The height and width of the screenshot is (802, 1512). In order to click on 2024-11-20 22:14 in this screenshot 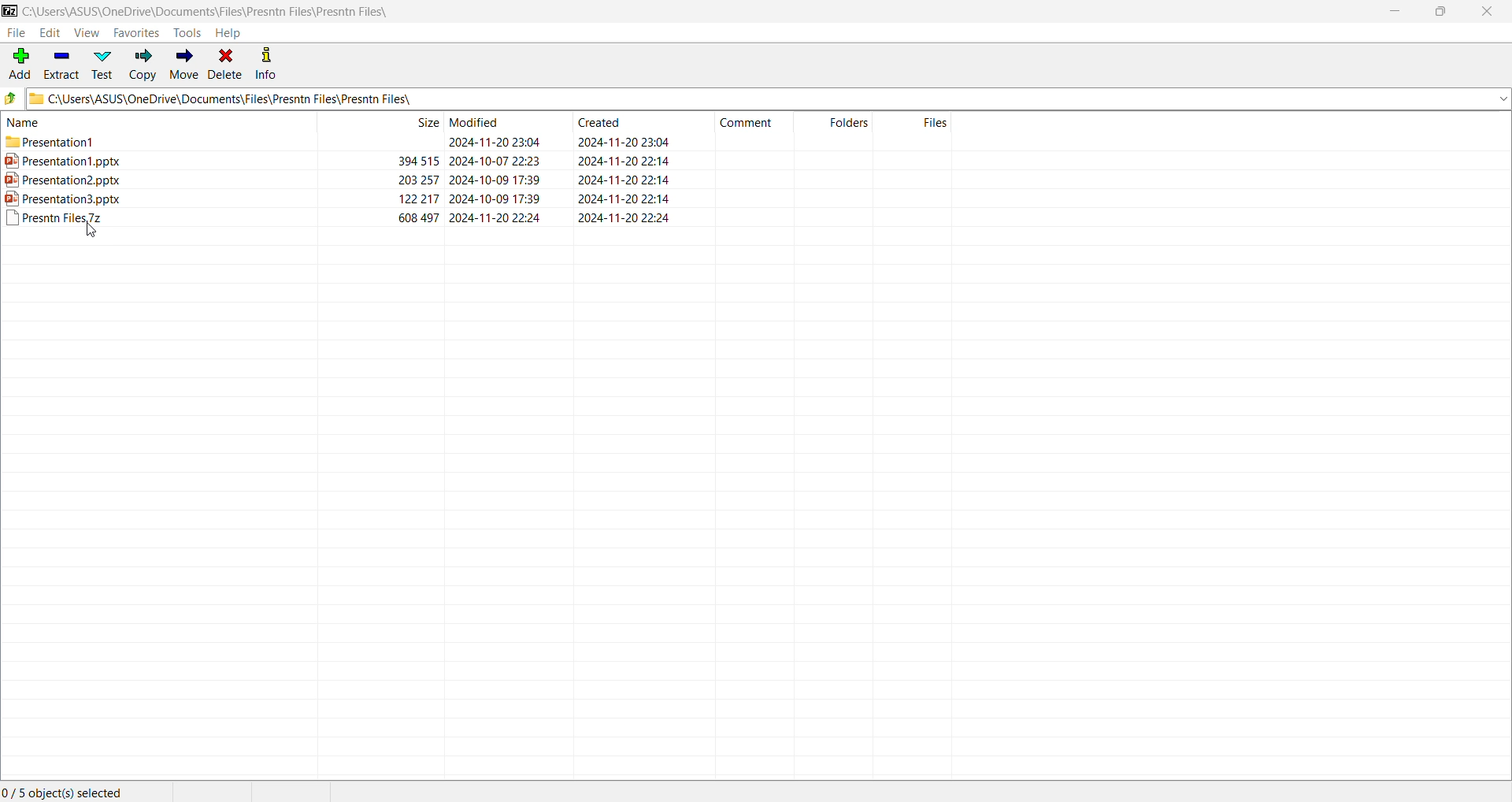, I will do `click(618, 180)`.